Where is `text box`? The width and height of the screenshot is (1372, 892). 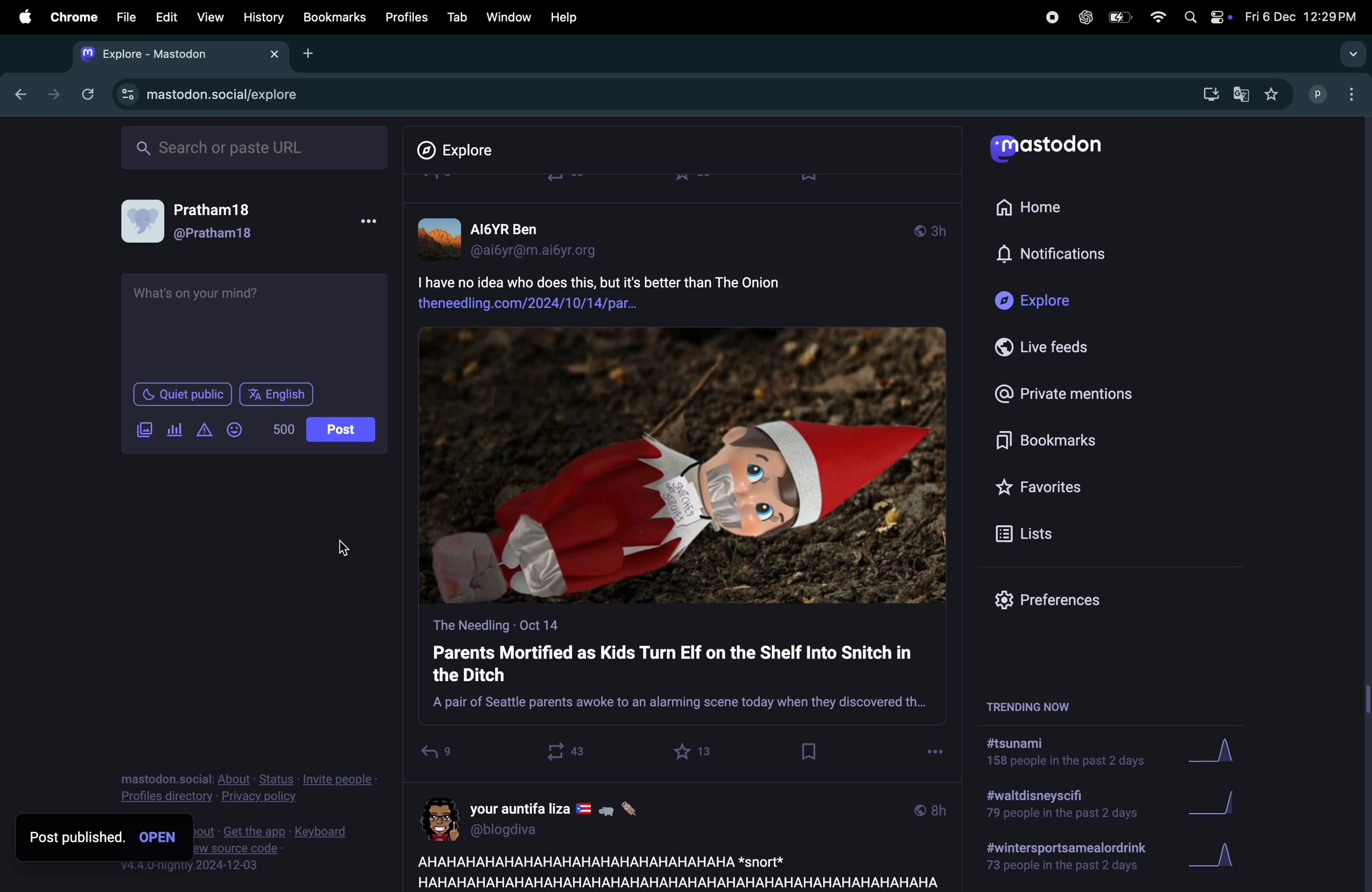 text box is located at coordinates (257, 324).